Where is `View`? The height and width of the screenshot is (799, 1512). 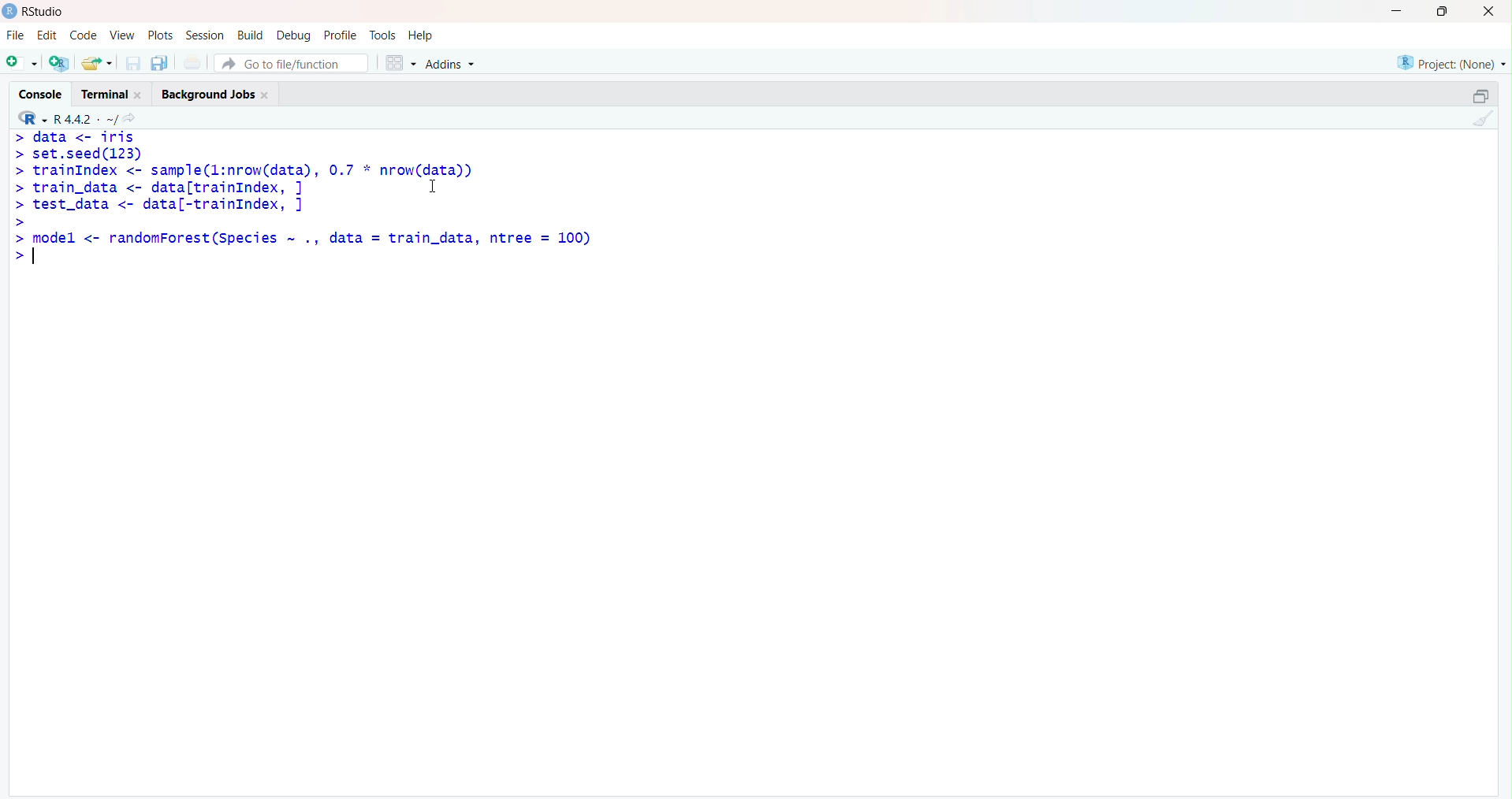 View is located at coordinates (121, 35).